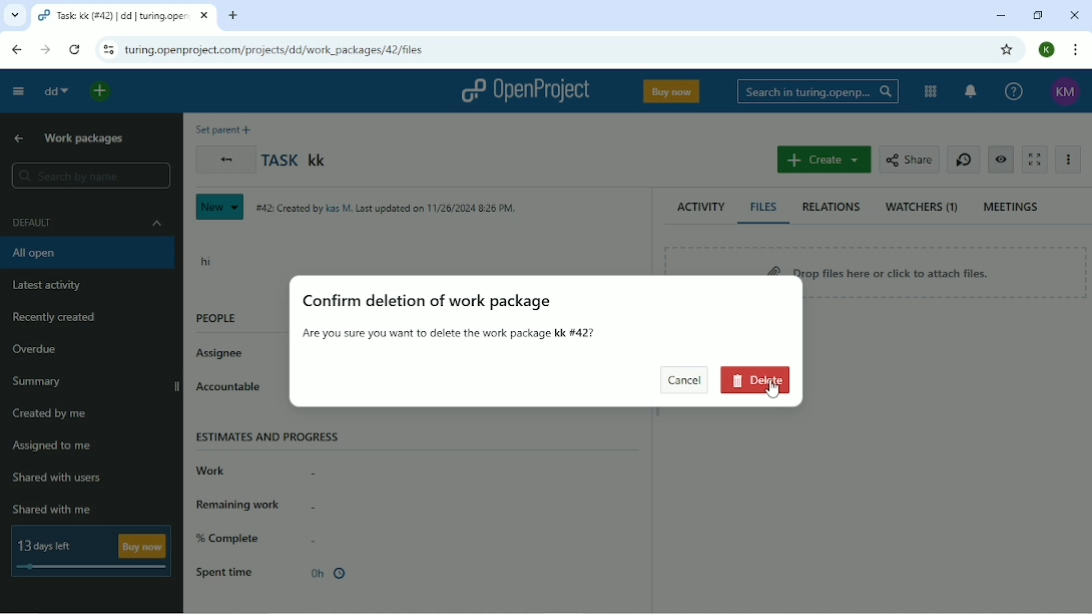  What do you see at coordinates (922, 207) in the screenshot?
I see `Watchers (1`)` at bounding box center [922, 207].